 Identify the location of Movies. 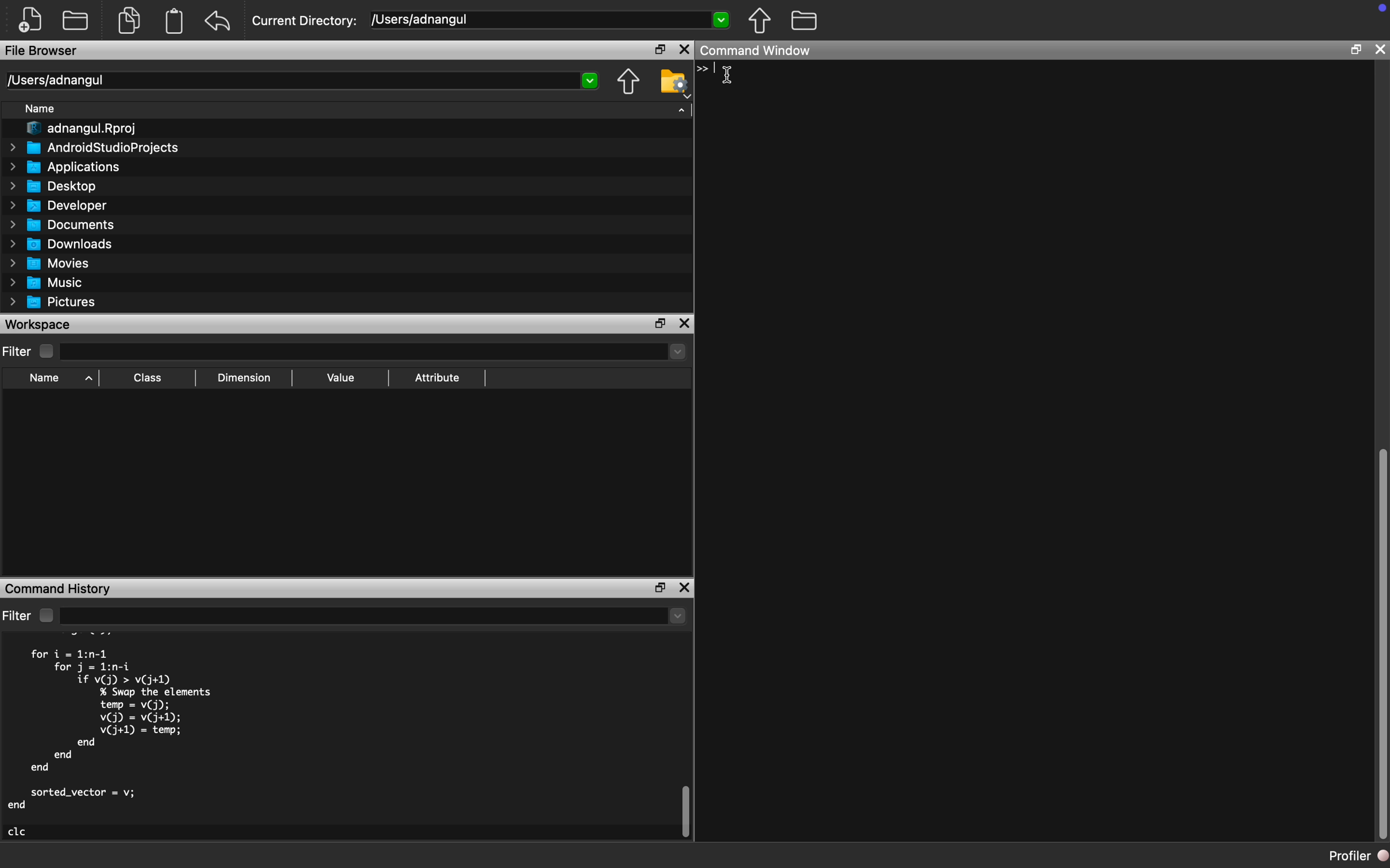
(50, 264).